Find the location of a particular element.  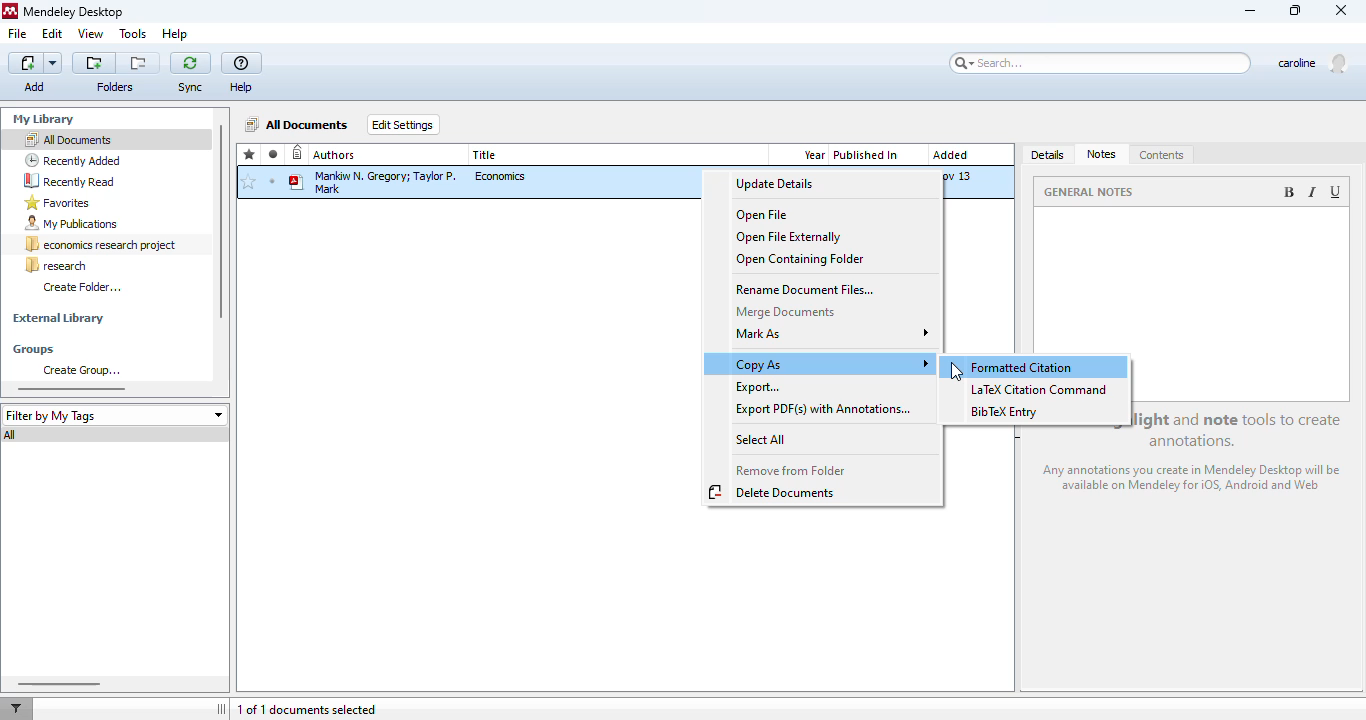

groups is located at coordinates (34, 350).